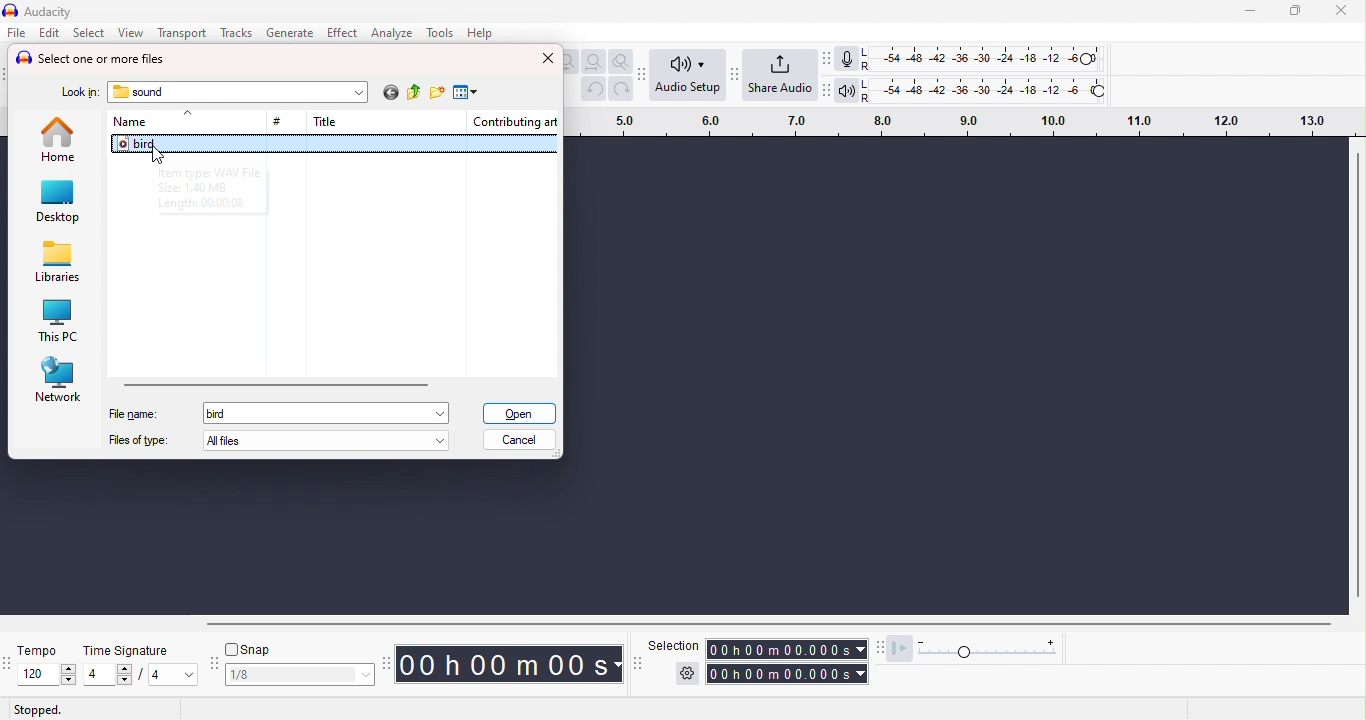  I want to click on tools, so click(441, 33).